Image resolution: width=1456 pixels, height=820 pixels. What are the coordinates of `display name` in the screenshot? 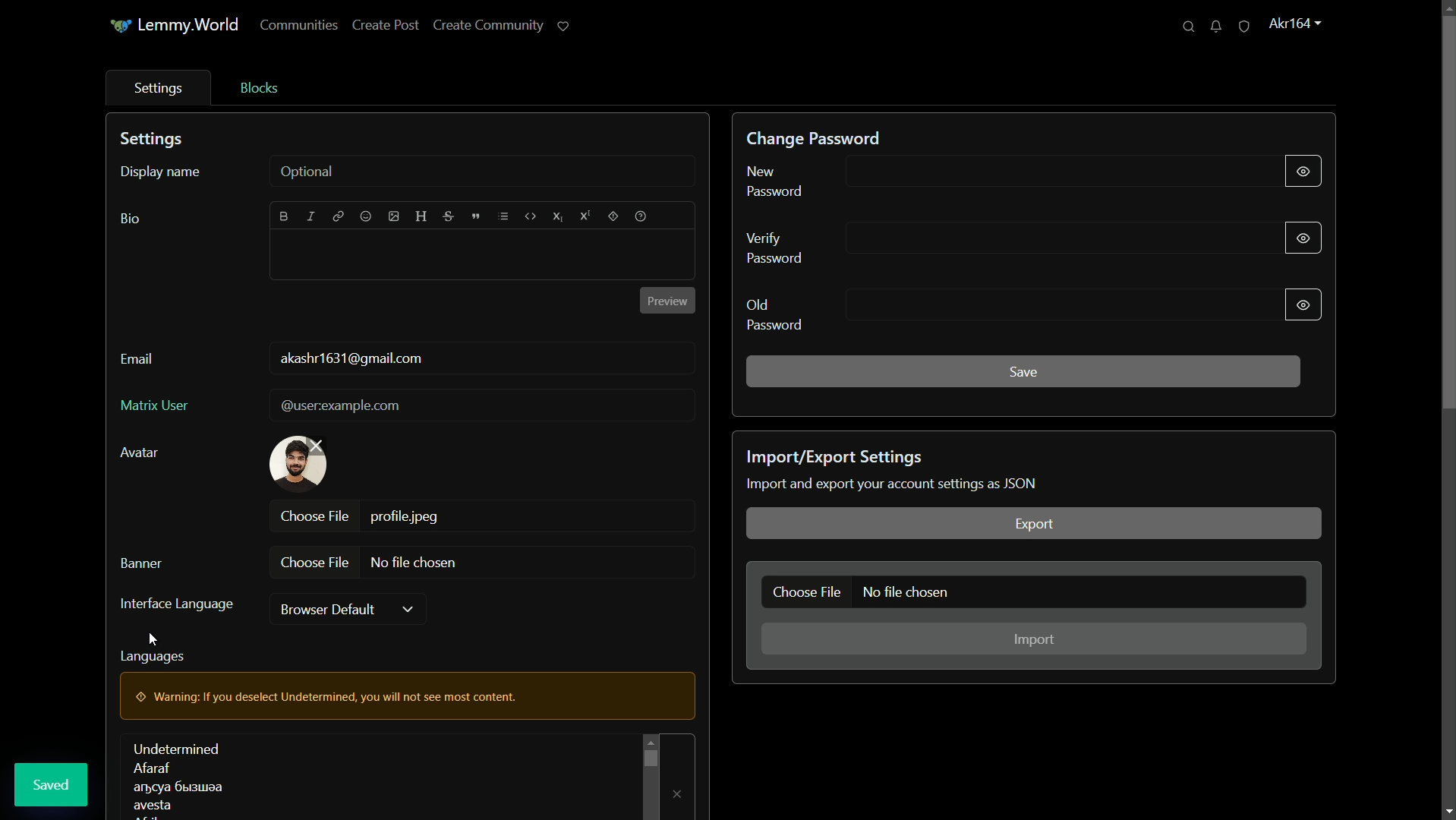 It's located at (159, 172).